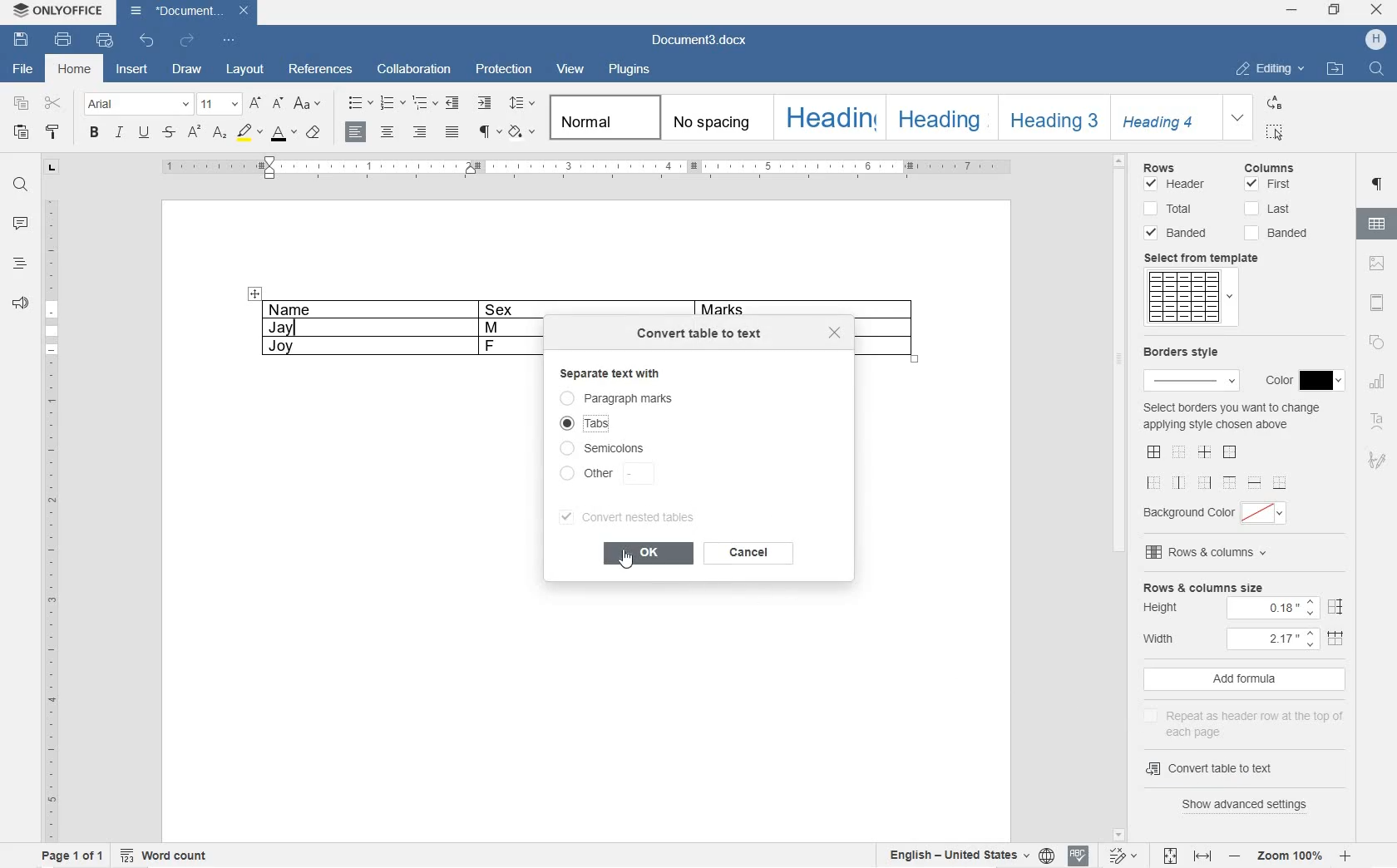 This screenshot has height=868, width=1397. I want to click on SUBSCRIPT, so click(220, 133).